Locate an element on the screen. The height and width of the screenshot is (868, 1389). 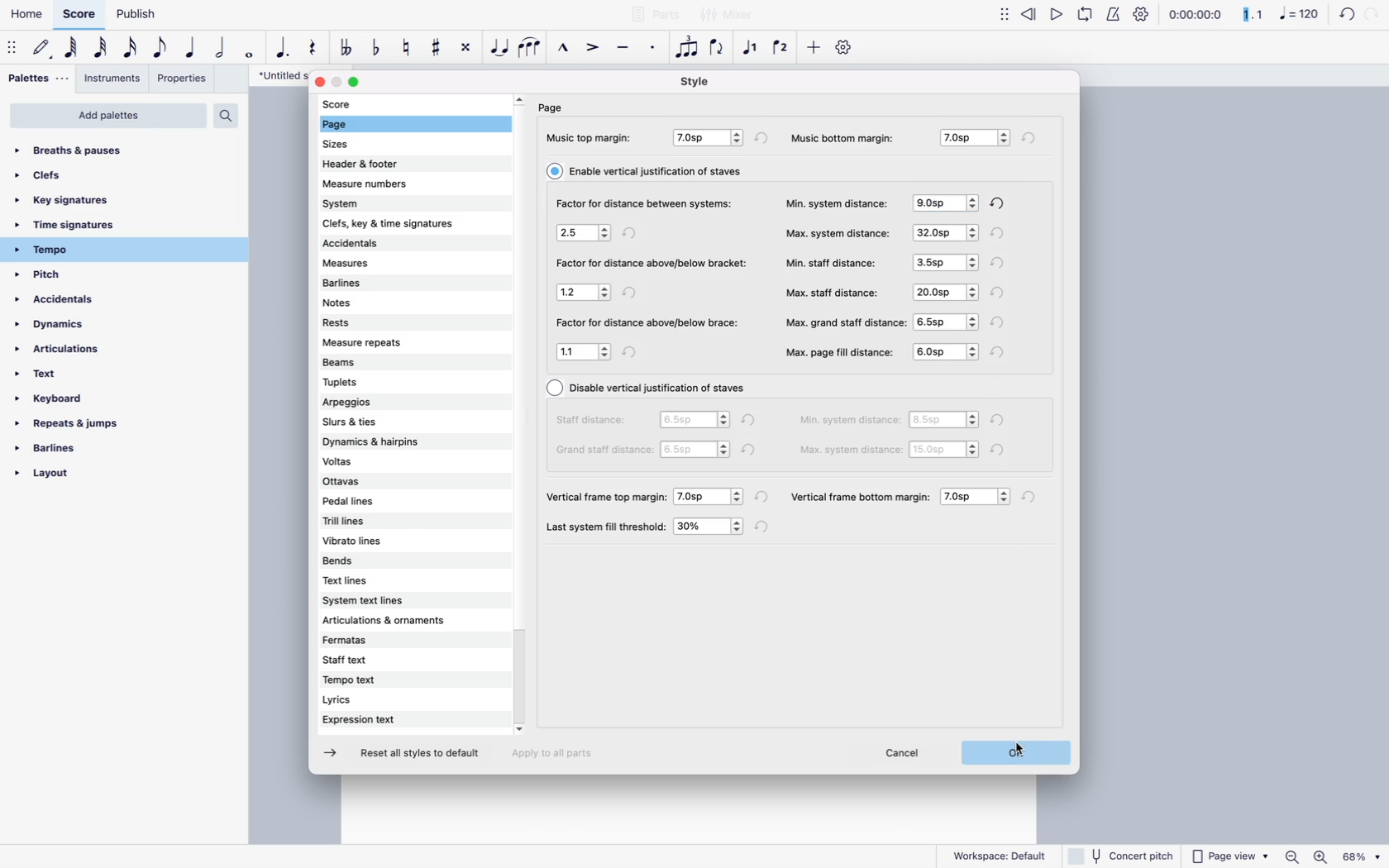
workspace is located at coordinates (1000, 853).